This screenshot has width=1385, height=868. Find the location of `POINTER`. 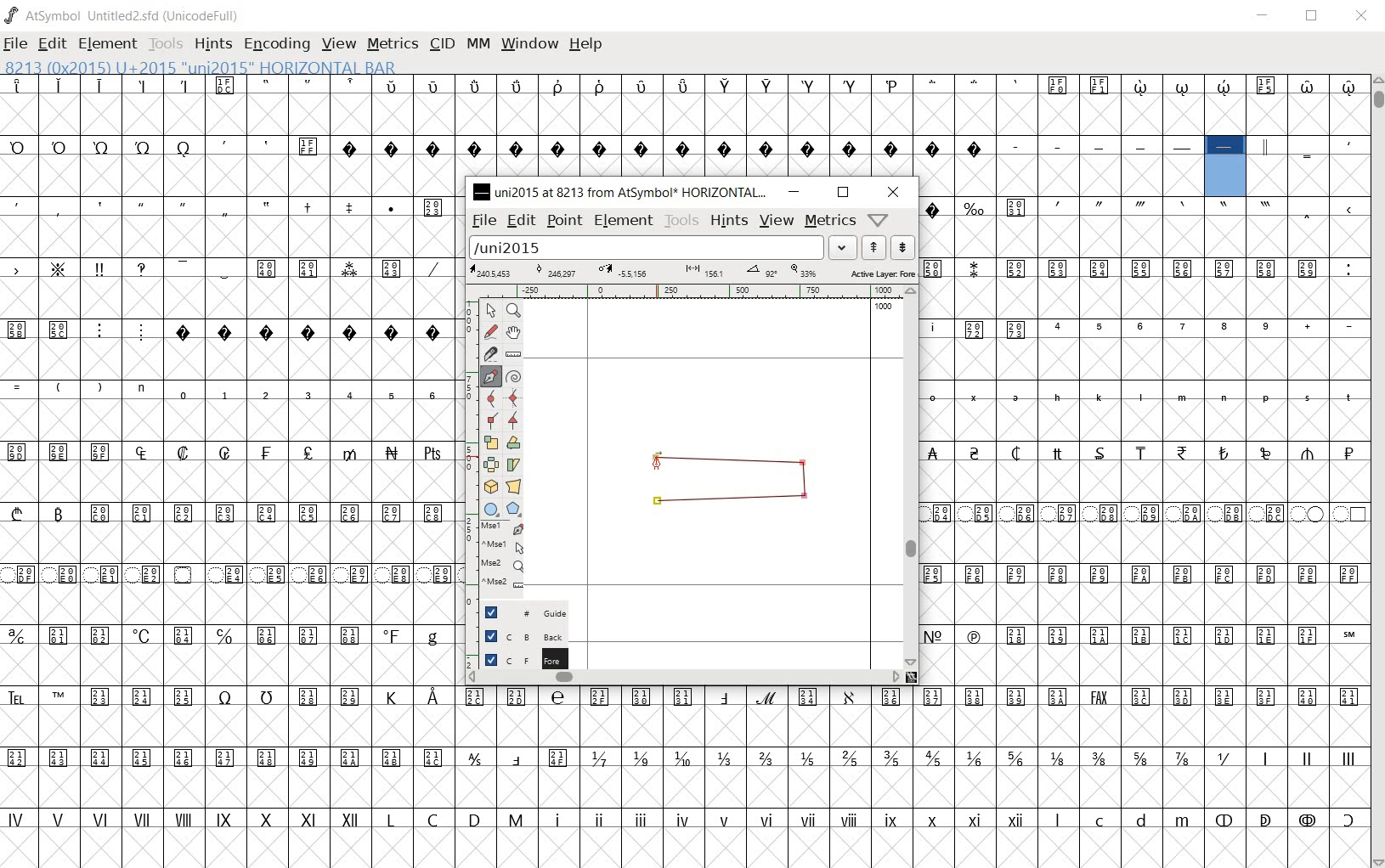

POINTER is located at coordinates (492, 312).